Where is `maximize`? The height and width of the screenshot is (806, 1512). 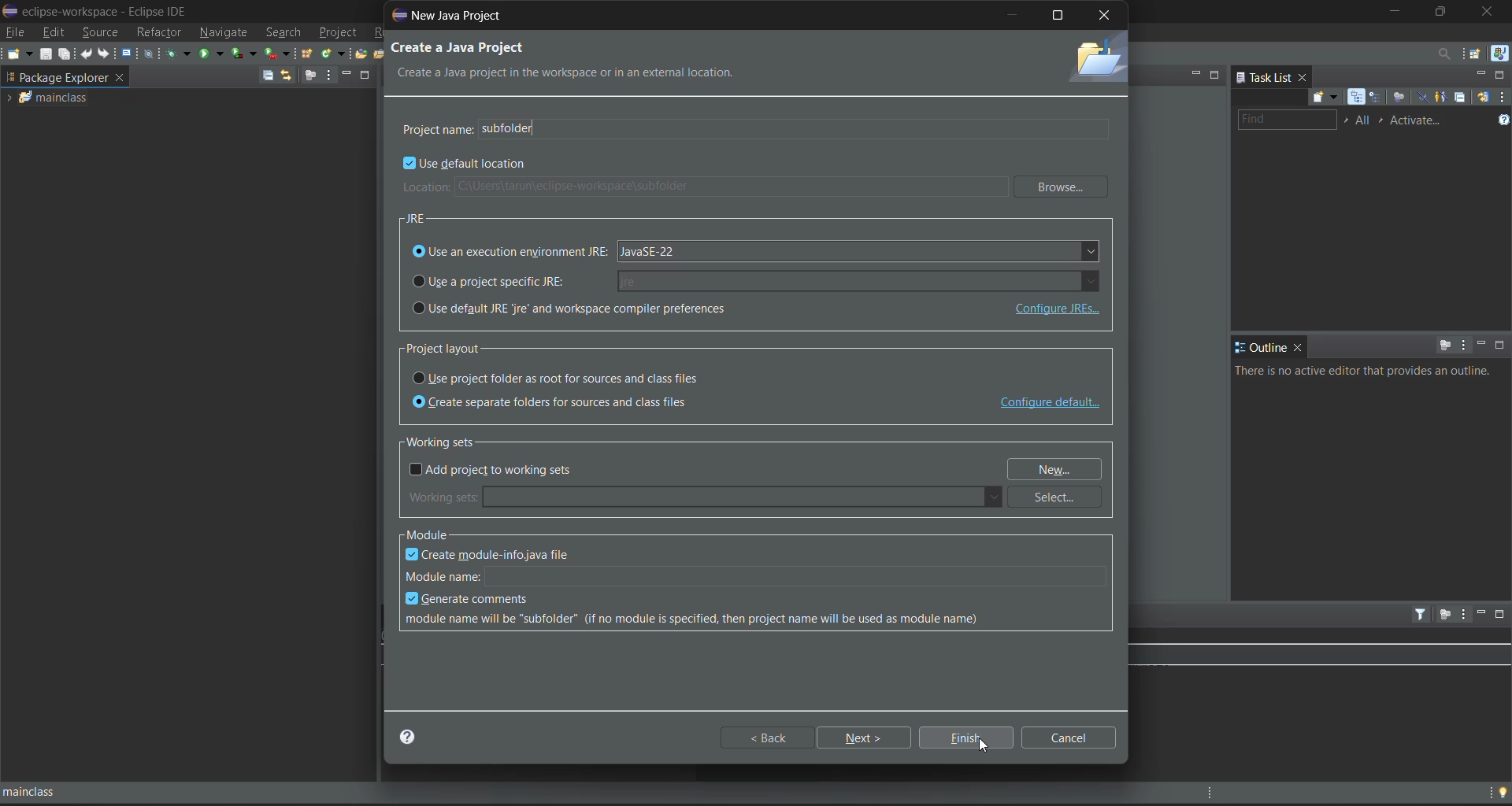
maximize is located at coordinates (1216, 73).